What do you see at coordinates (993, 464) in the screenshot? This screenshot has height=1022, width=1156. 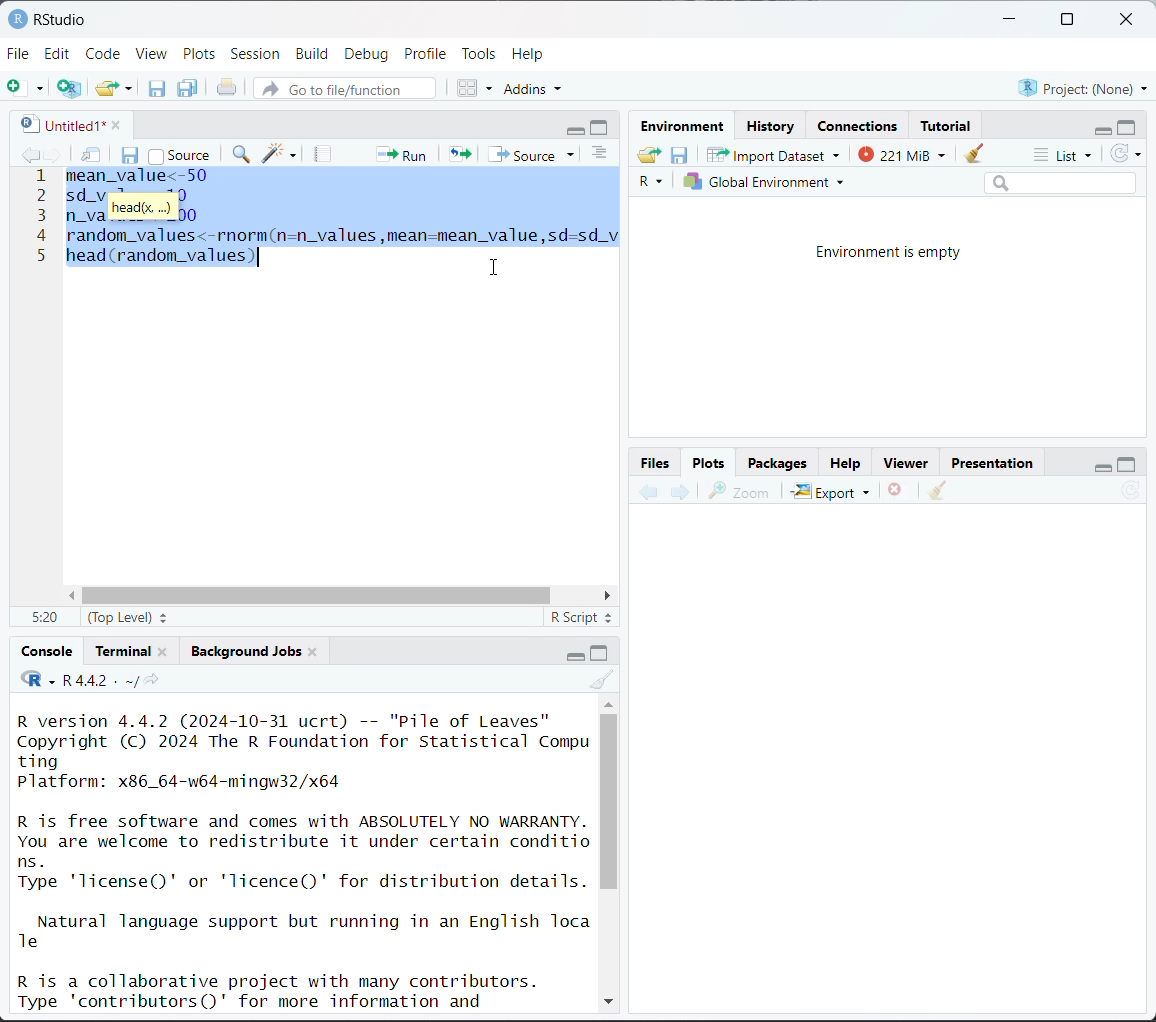 I see `Presentation` at bounding box center [993, 464].